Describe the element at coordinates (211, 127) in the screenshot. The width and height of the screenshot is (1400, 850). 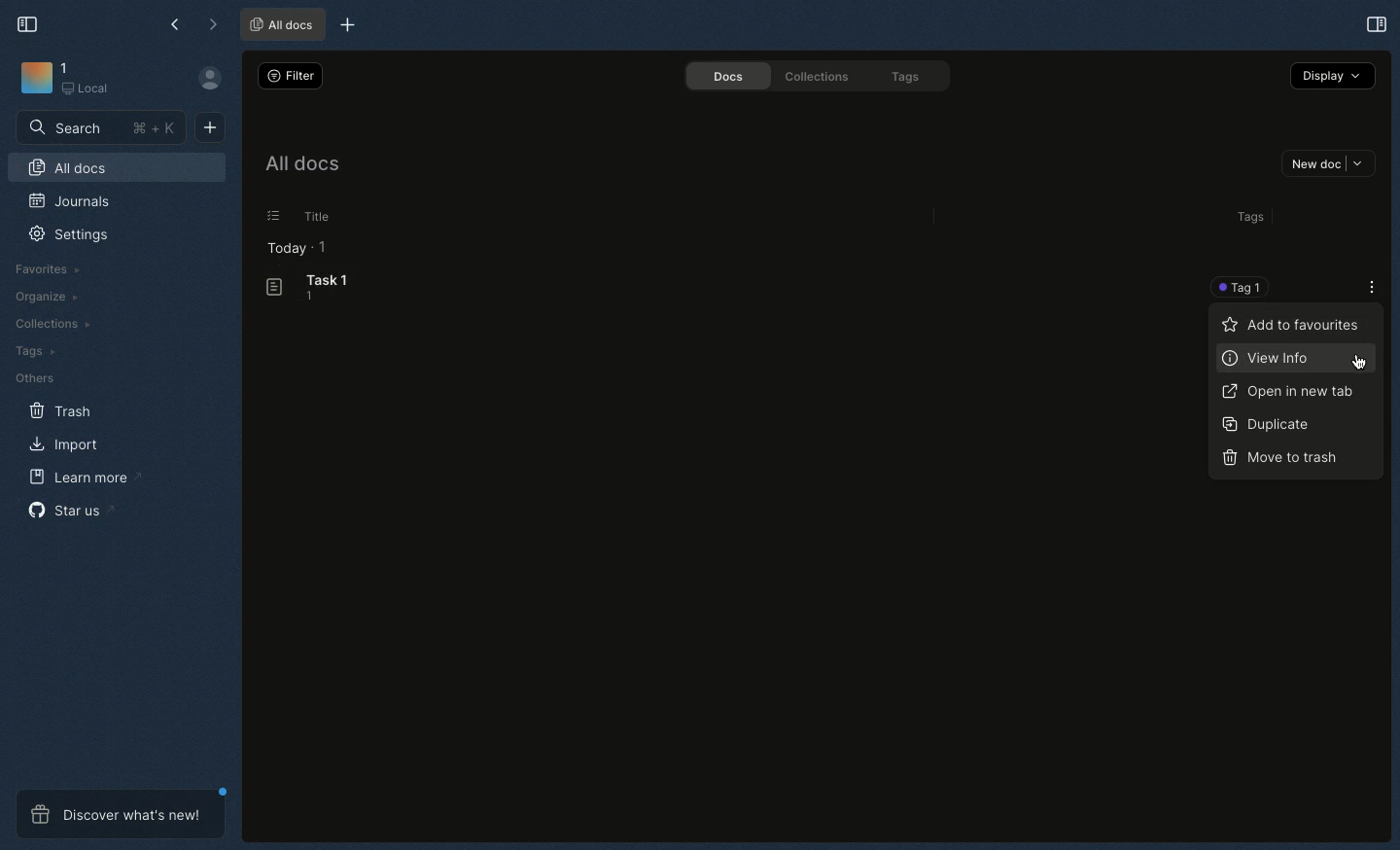
I see `New doc` at that location.